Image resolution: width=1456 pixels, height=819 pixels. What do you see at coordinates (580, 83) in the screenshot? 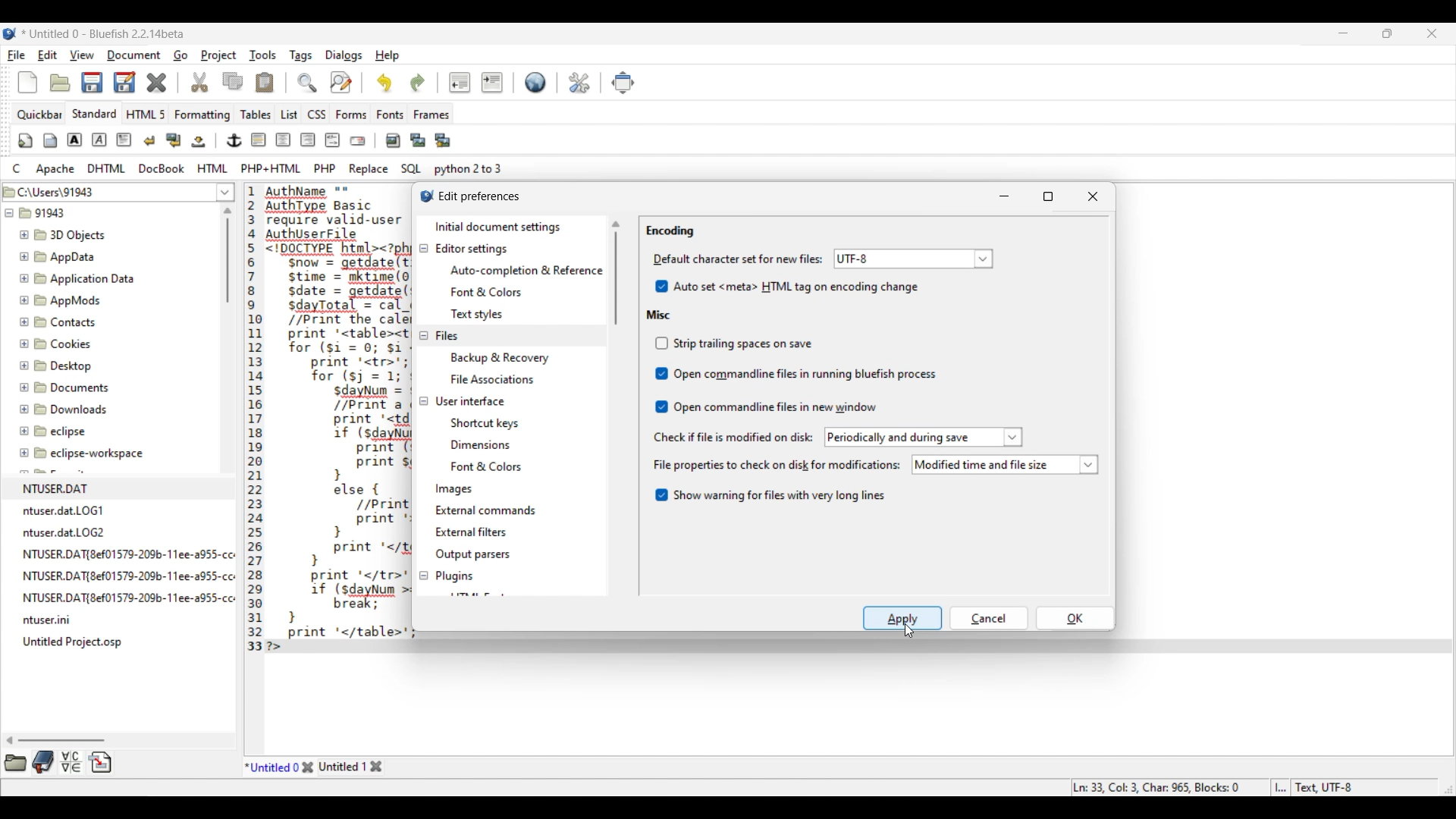
I see `Edit preferences highlighted by cursor` at bounding box center [580, 83].